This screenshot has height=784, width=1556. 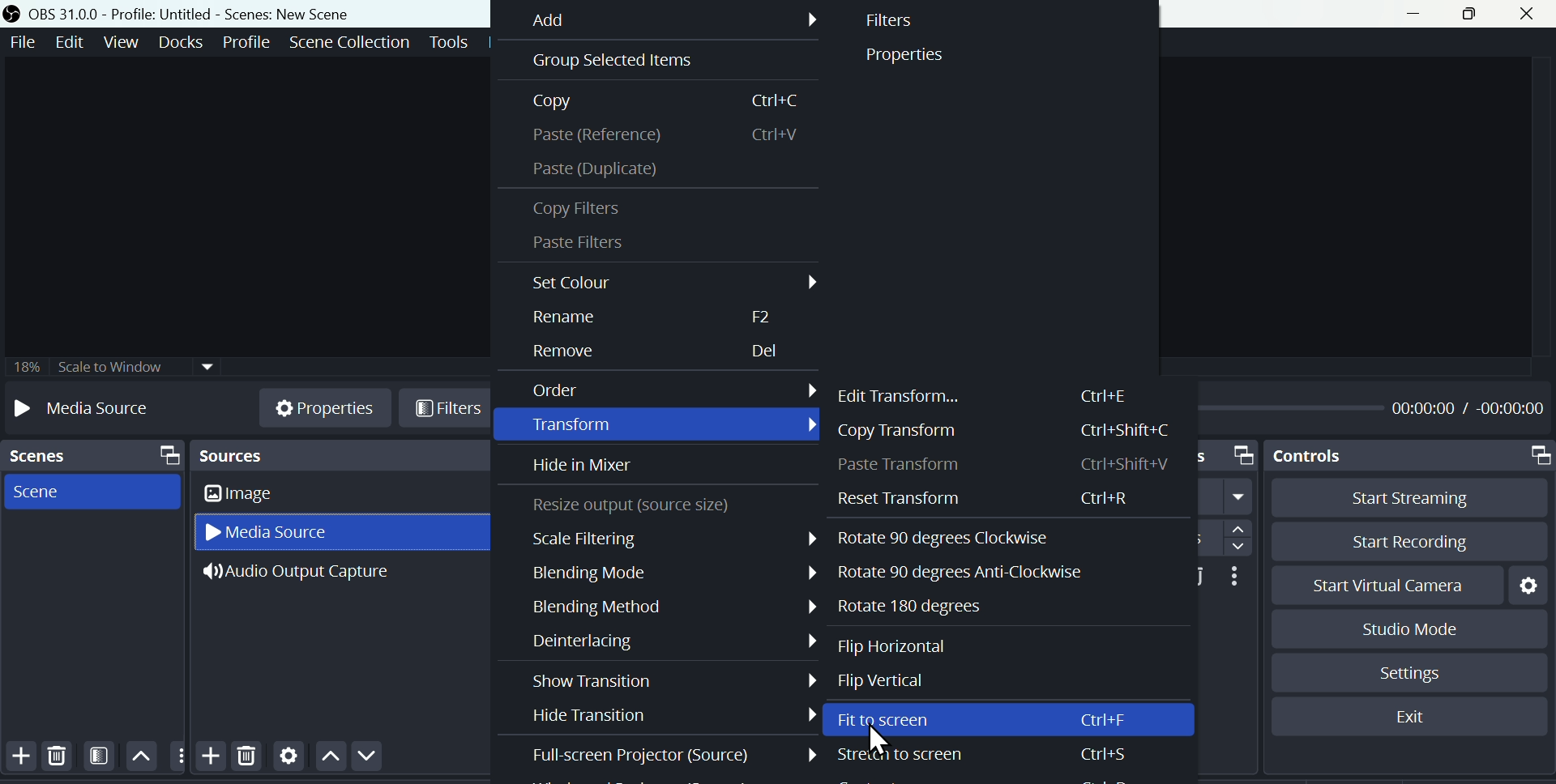 I want to click on Settings, so click(x=1411, y=673).